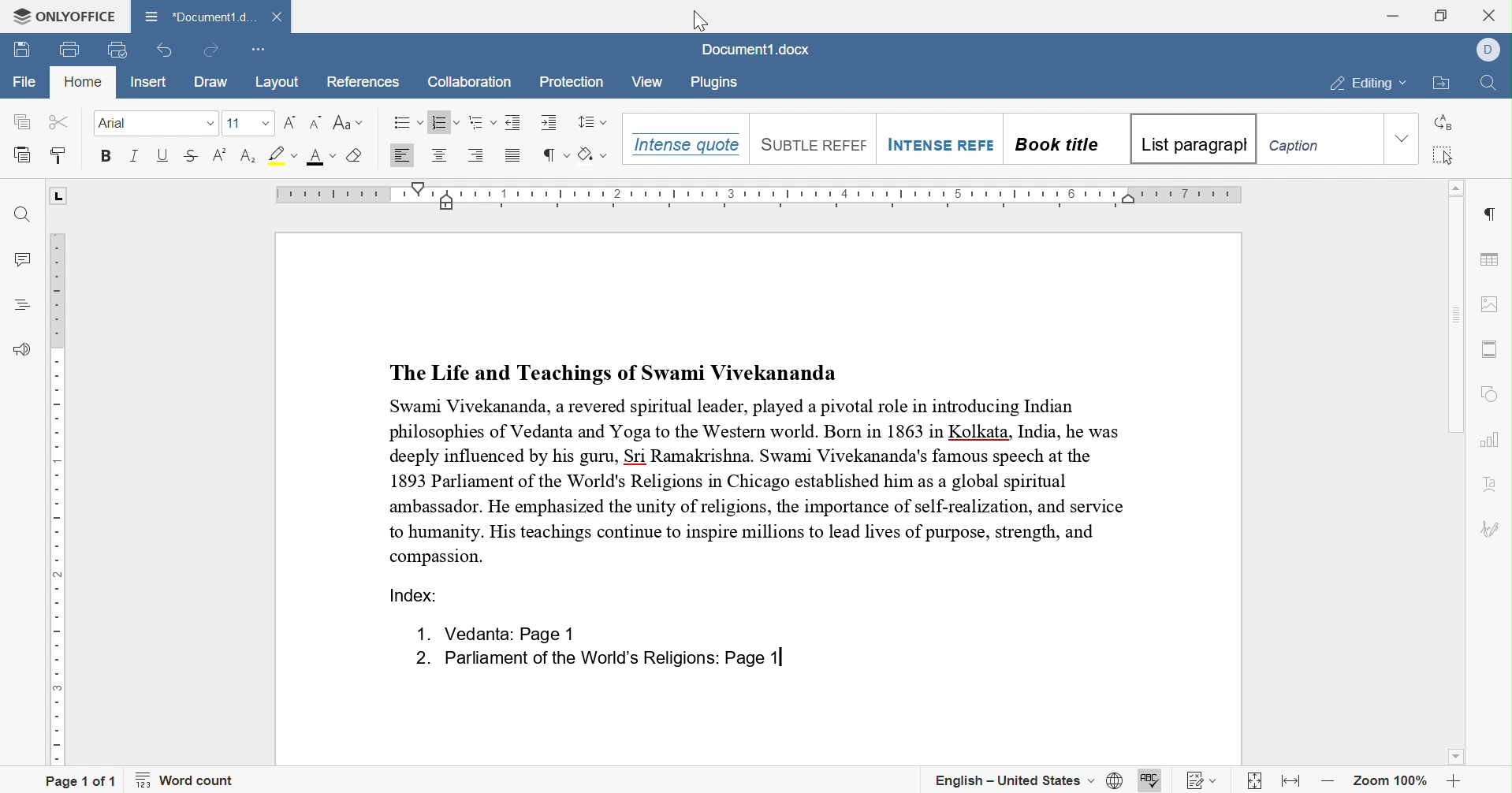 This screenshot has height=793, width=1512. Describe the element at coordinates (400, 156) in the screenshot. I see `align left` at that location.